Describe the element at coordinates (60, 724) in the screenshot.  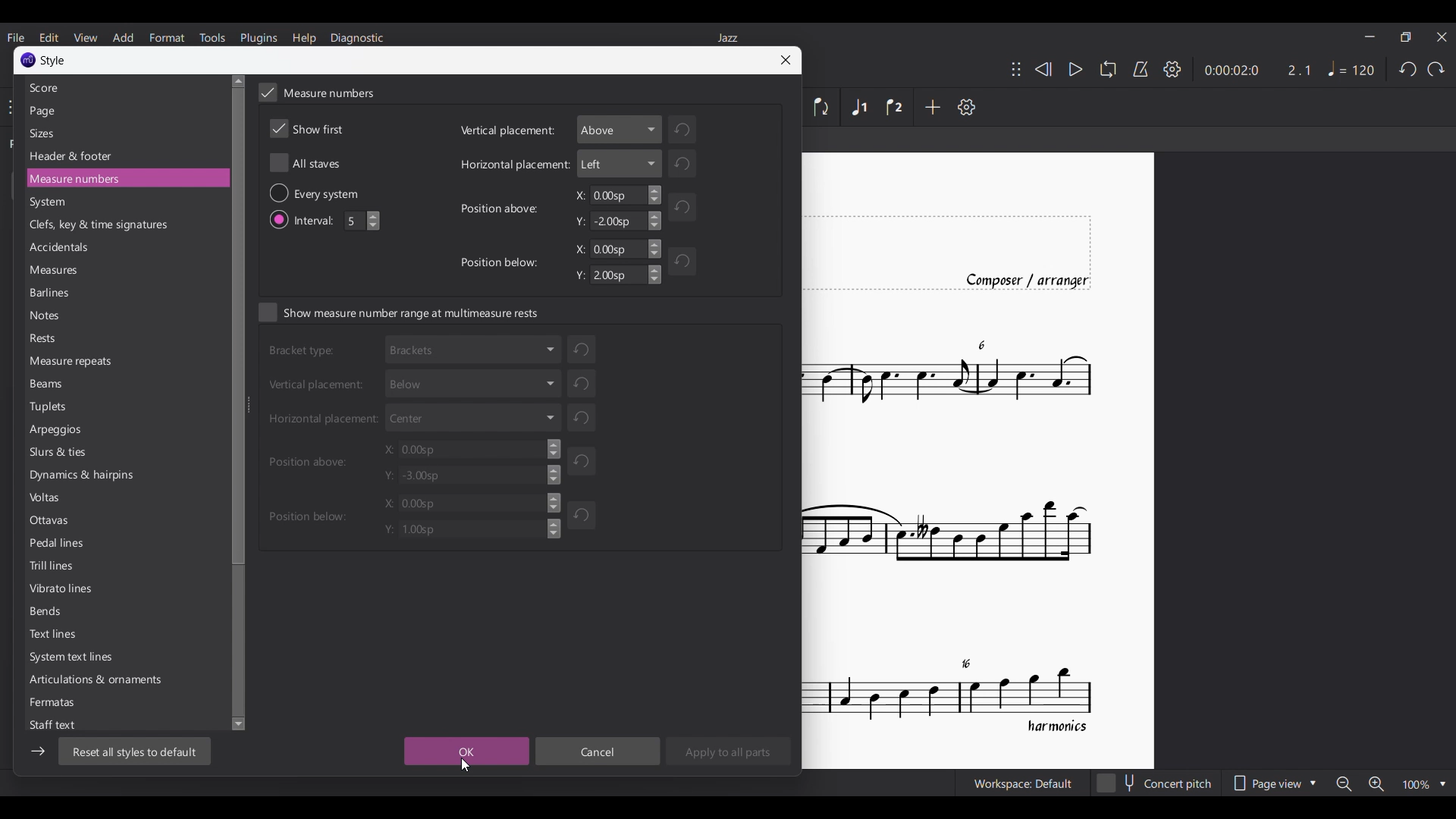
I see `STAFF` at that location.